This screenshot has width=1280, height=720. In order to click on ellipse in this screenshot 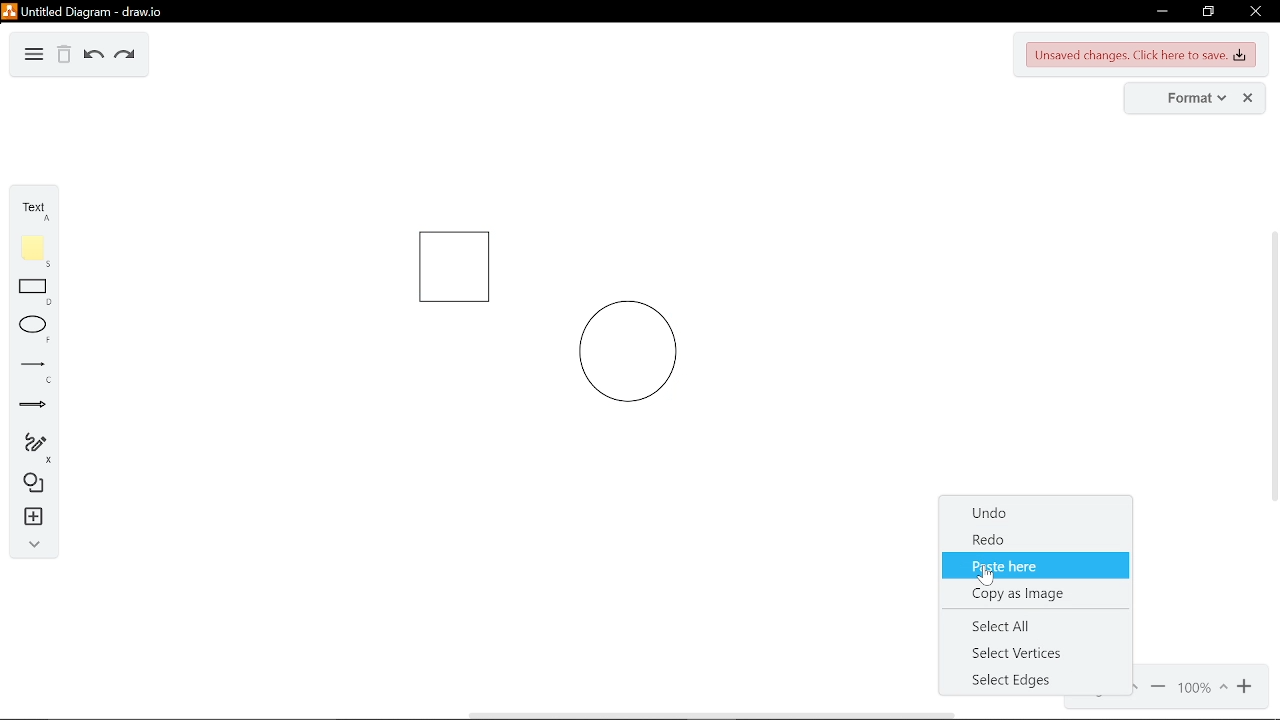, I will do `click(31, 330)`.